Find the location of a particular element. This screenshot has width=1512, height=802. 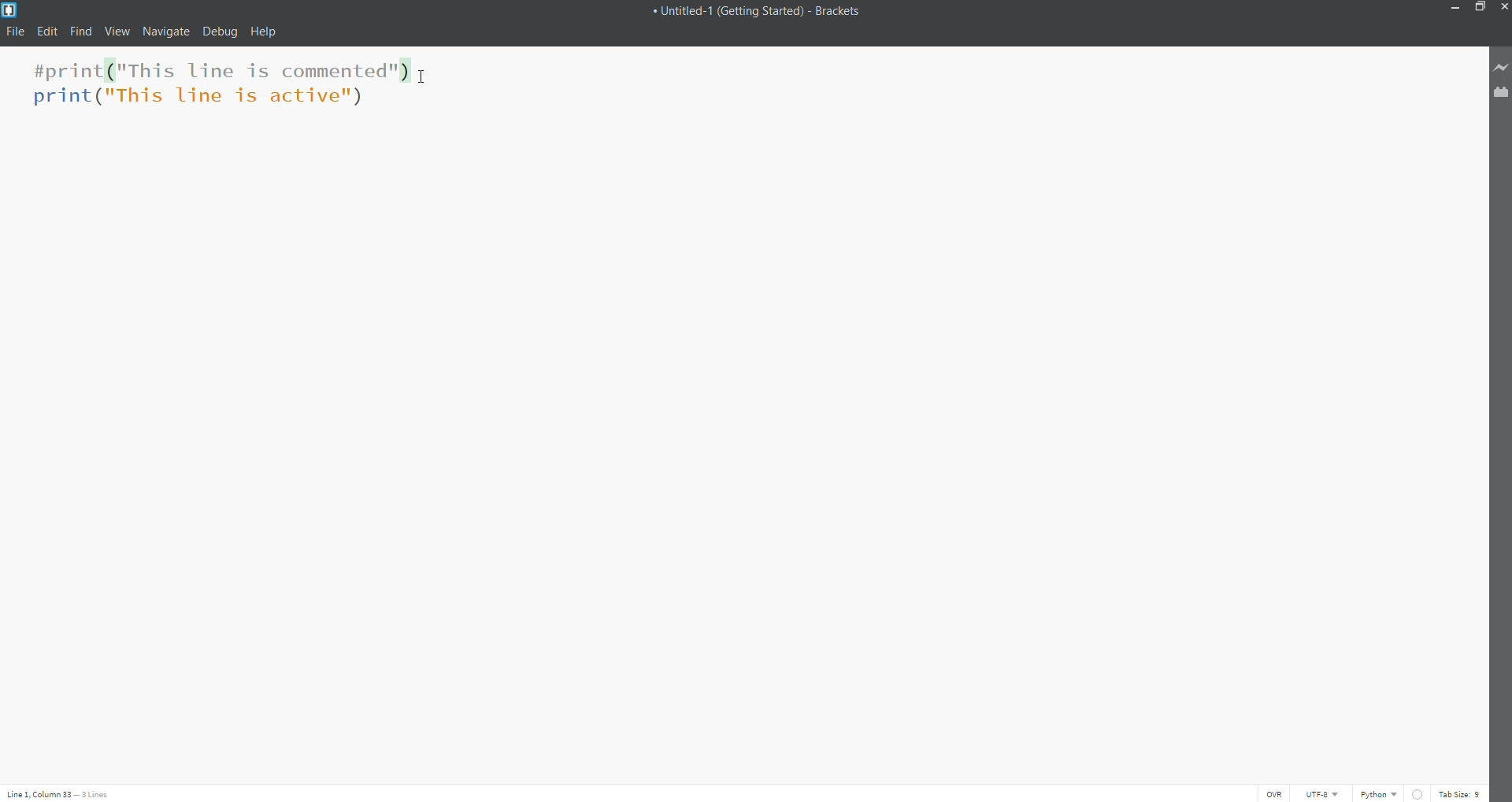

Linting is disabled is located at coordinates (1418, 794).